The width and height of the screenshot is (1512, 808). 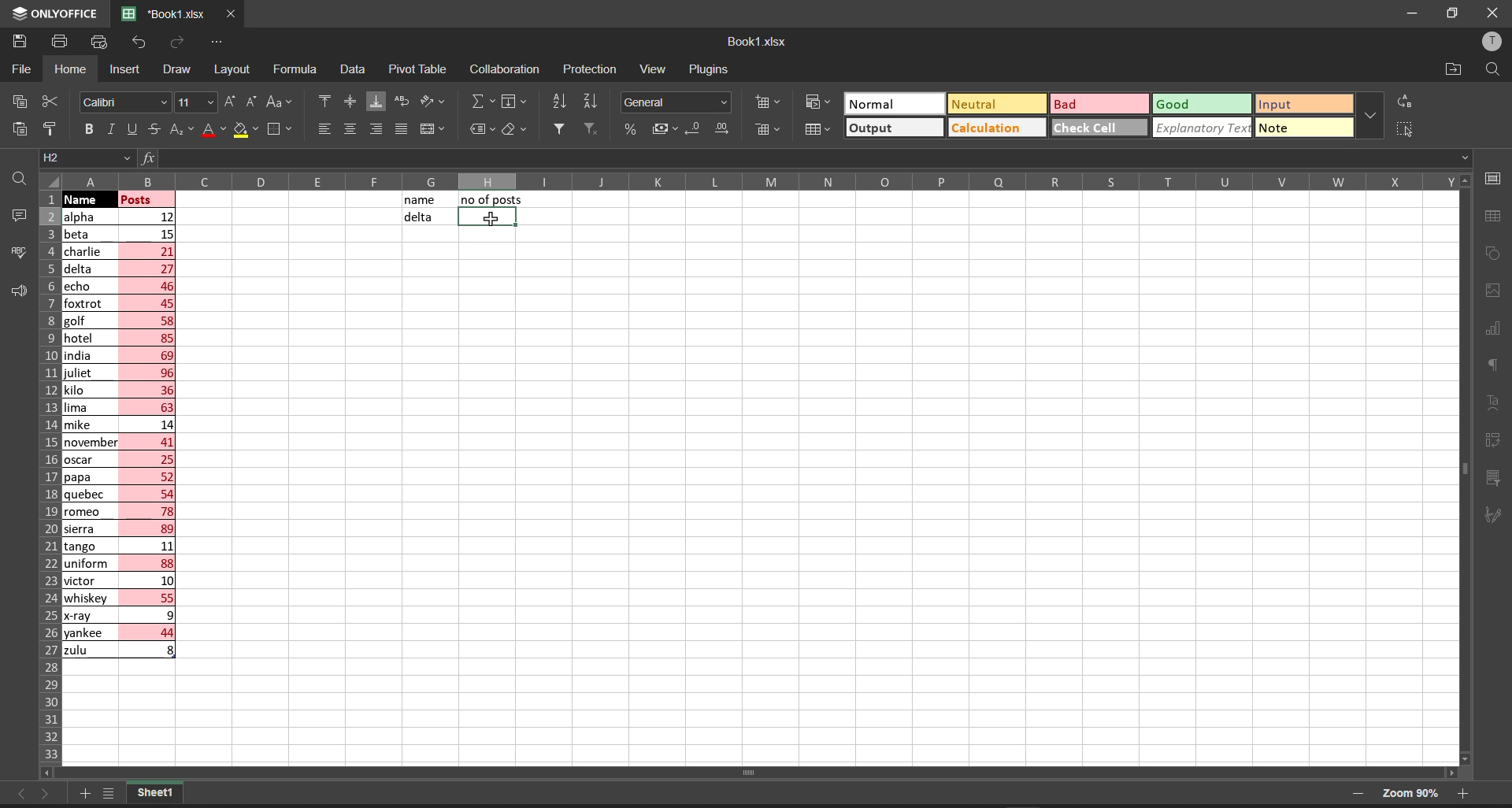 I want to click on insert, so click(x=124, y=70).